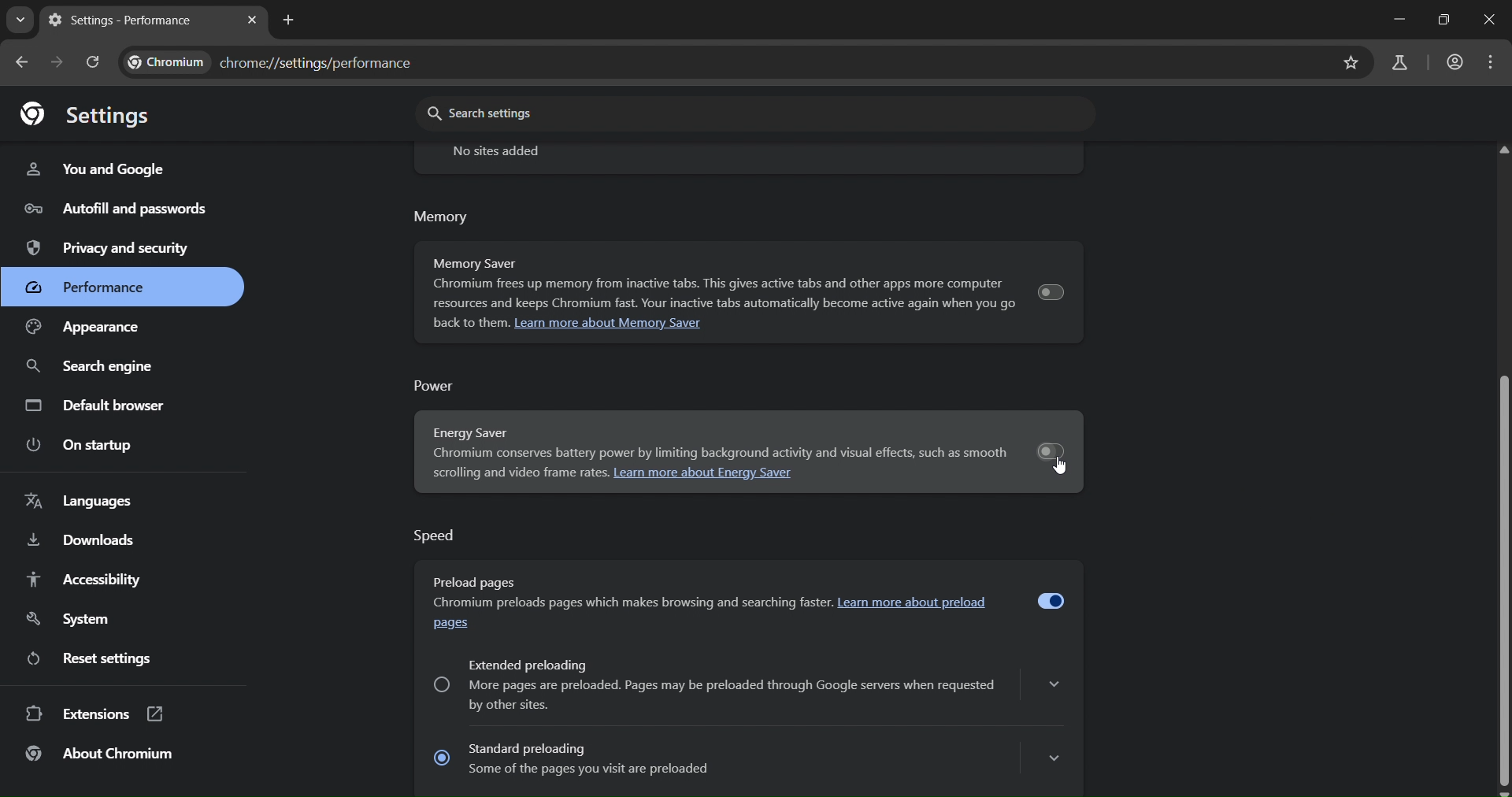  I want to click on autofill and passwords, so click(119, 210).